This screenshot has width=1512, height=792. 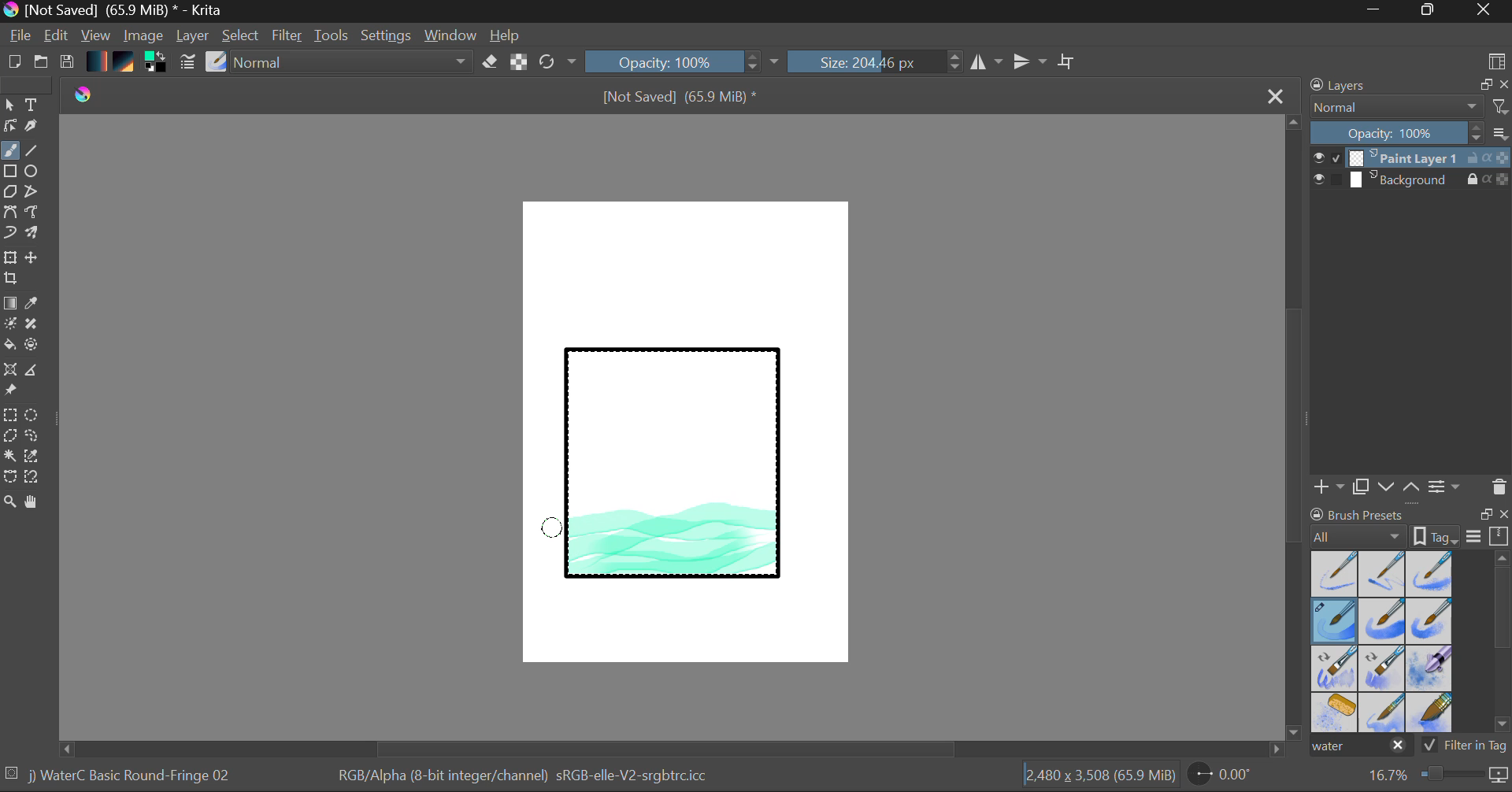 What do you see at coordinates (491, 62) in the screenshot?
I see `Eraser` at bounding box center [491, 62].